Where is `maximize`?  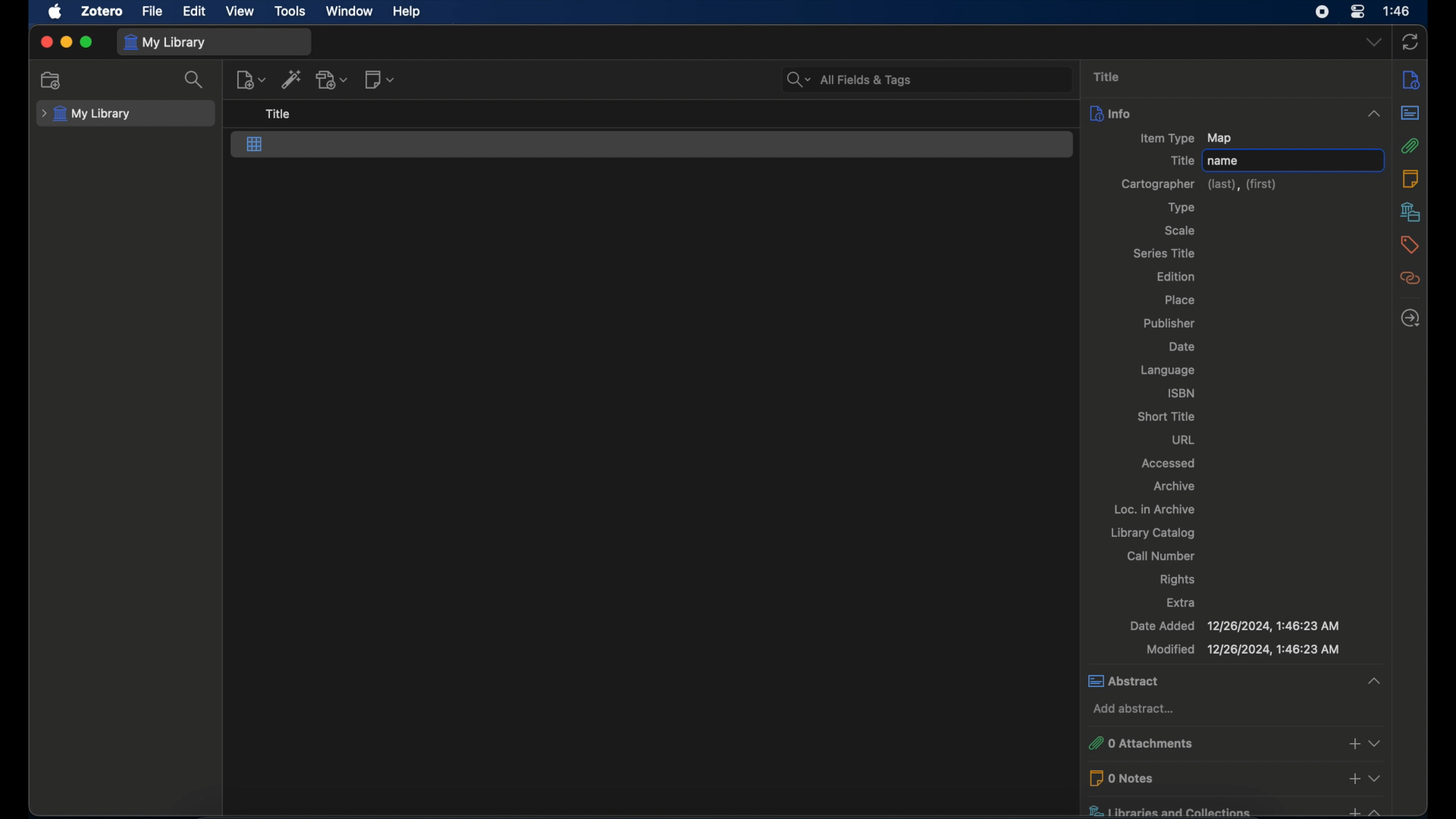 maximize is located at coordinates (87, 42).